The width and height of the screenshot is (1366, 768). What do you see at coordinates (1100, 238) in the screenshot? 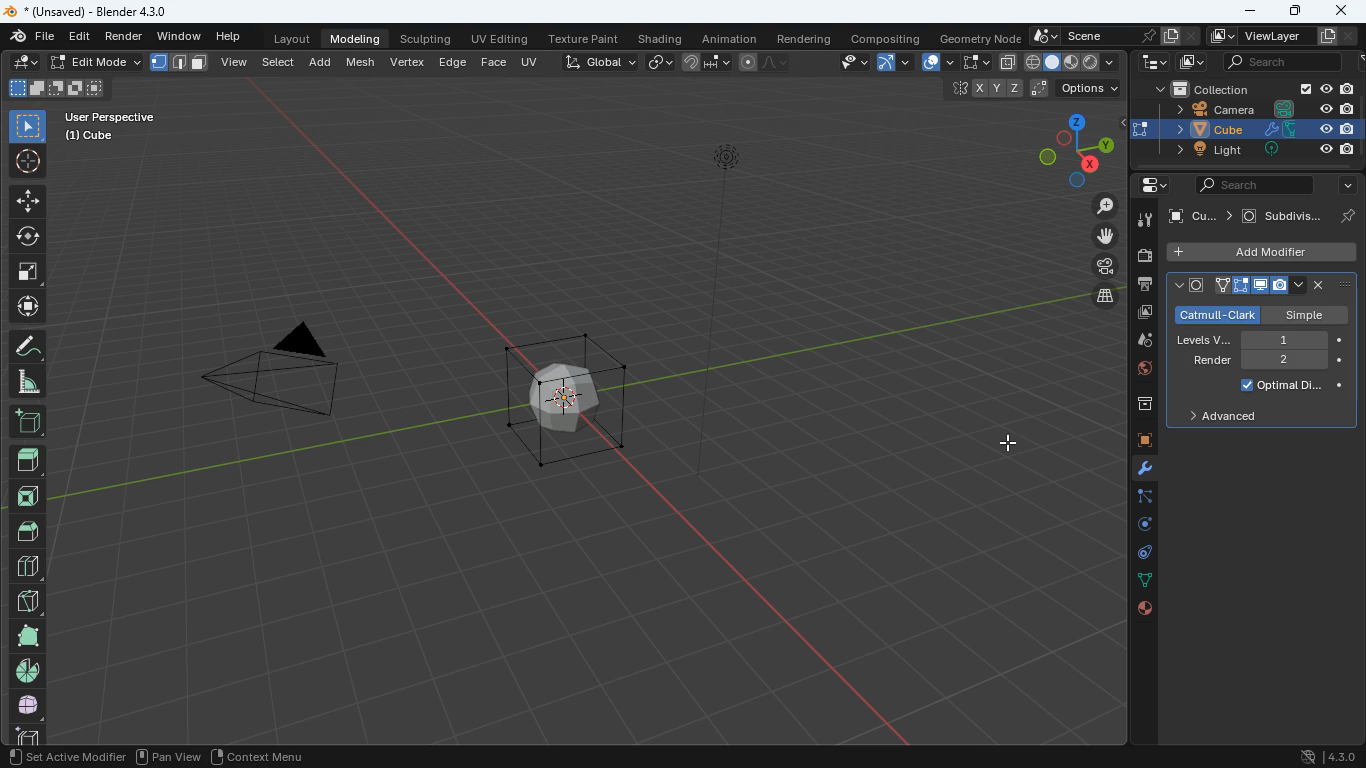
I see `move` at bounding box center [1100, 238].